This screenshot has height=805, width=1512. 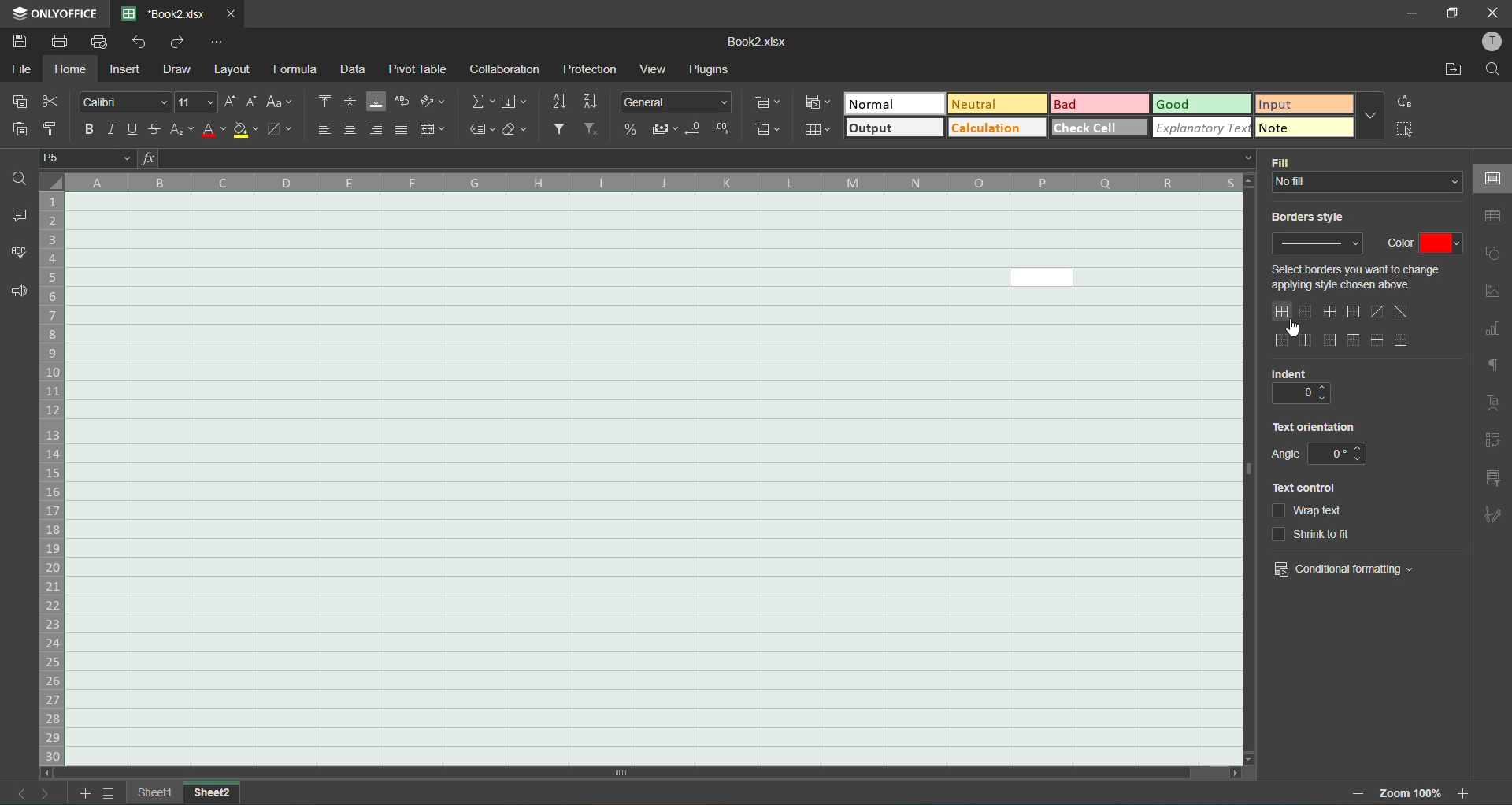 I want to click on outer bottom line only, so click(x=1403, y=339).